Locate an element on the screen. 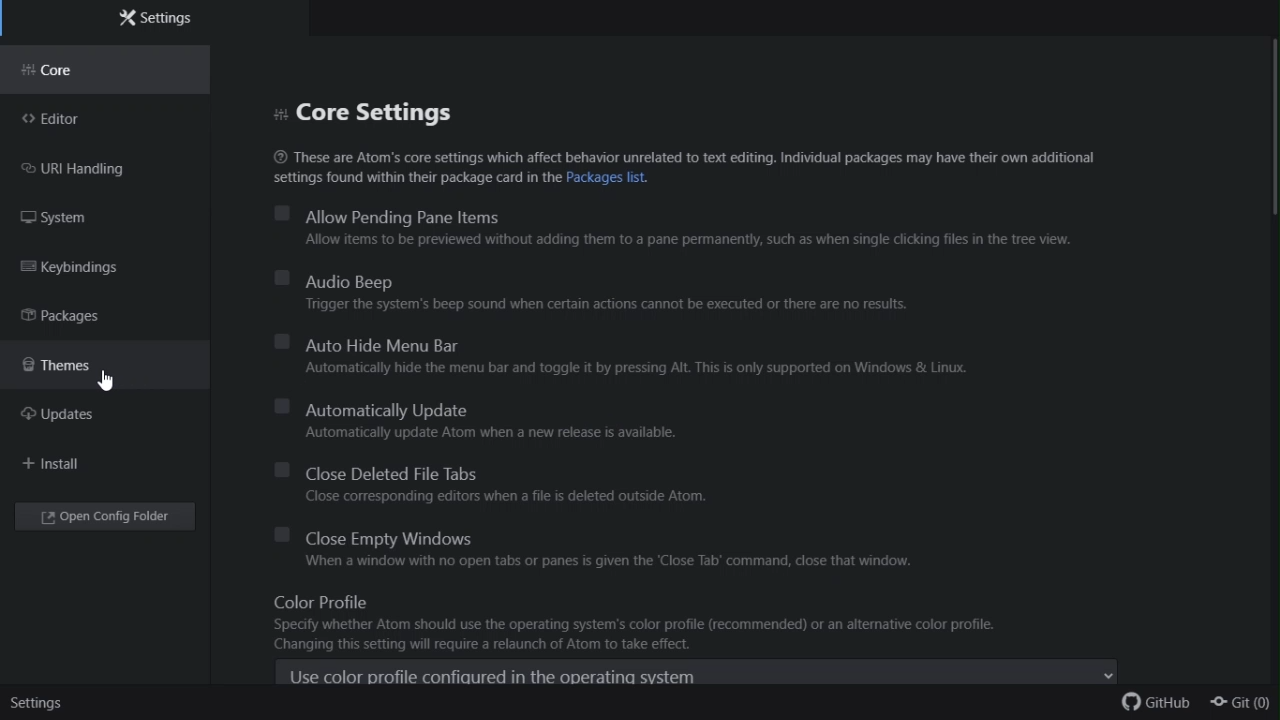 The image size is (1280, 720). Color profile is located at coordinates (696, 603).